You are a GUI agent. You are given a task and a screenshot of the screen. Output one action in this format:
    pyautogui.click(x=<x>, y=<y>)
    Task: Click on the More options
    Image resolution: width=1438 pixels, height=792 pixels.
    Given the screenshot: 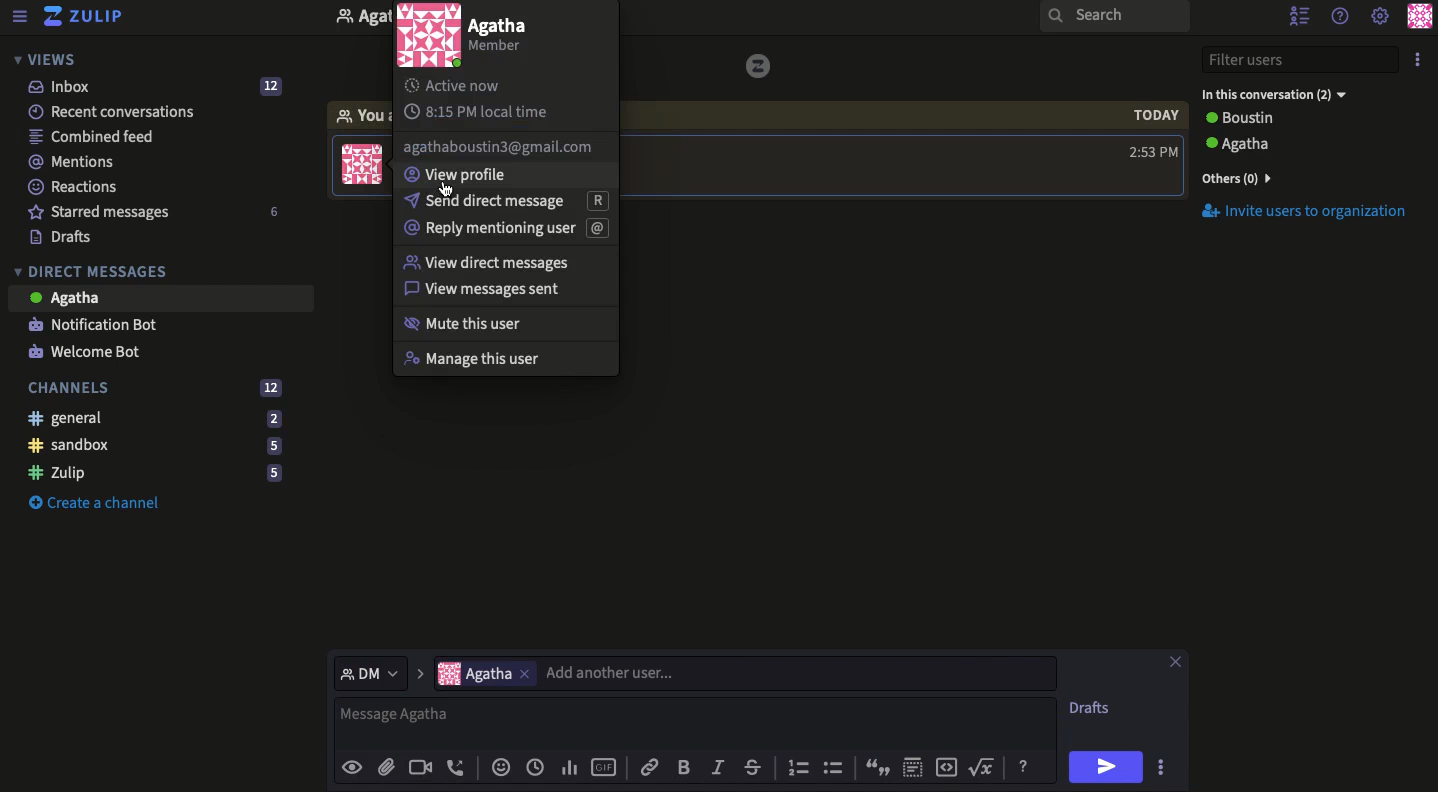 What is the action you would take?
    pyautogui.click(x=1419, y=58)
    